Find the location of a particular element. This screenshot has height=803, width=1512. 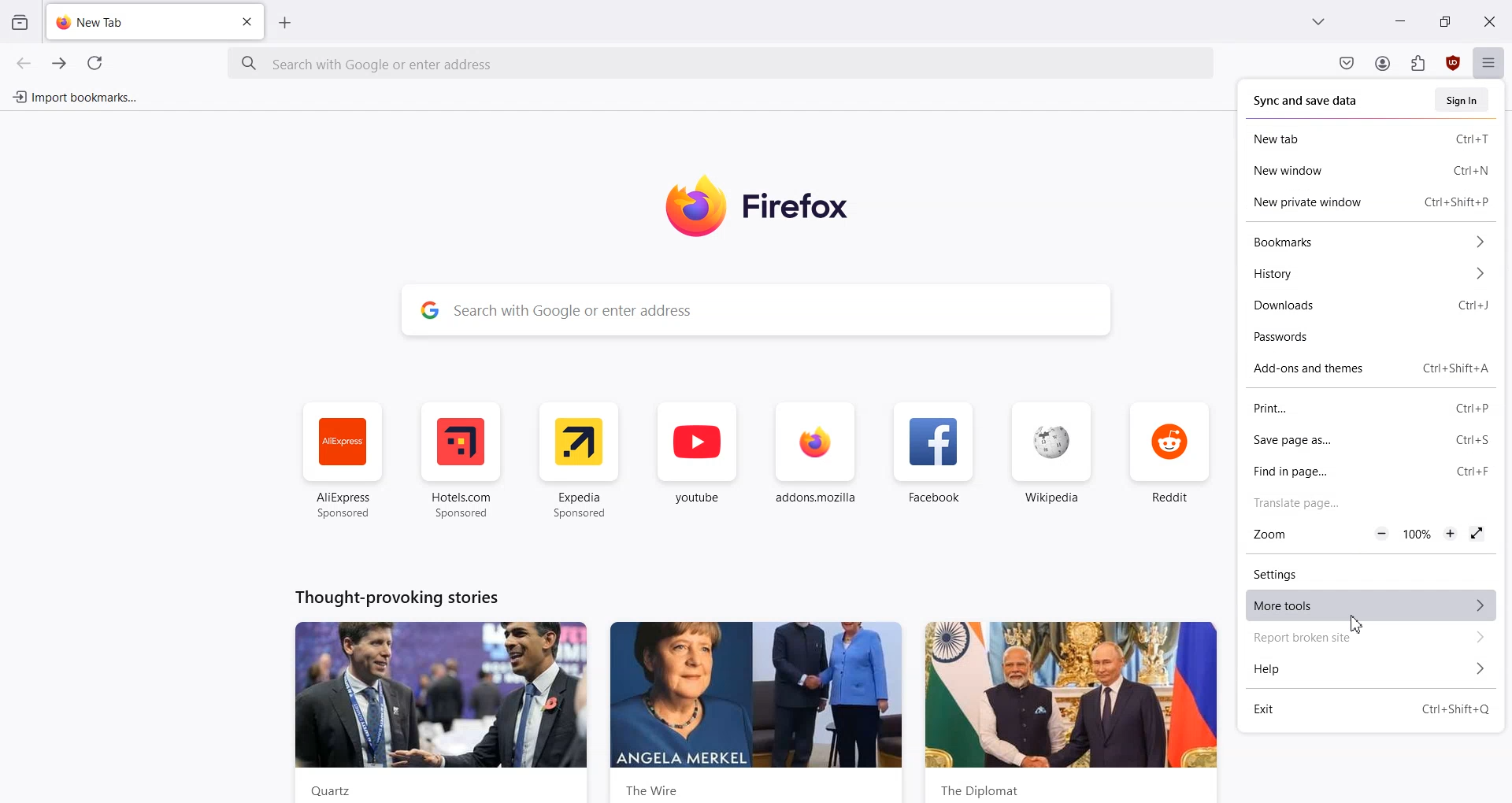

Translate page is located at coordinates (1366, 502).